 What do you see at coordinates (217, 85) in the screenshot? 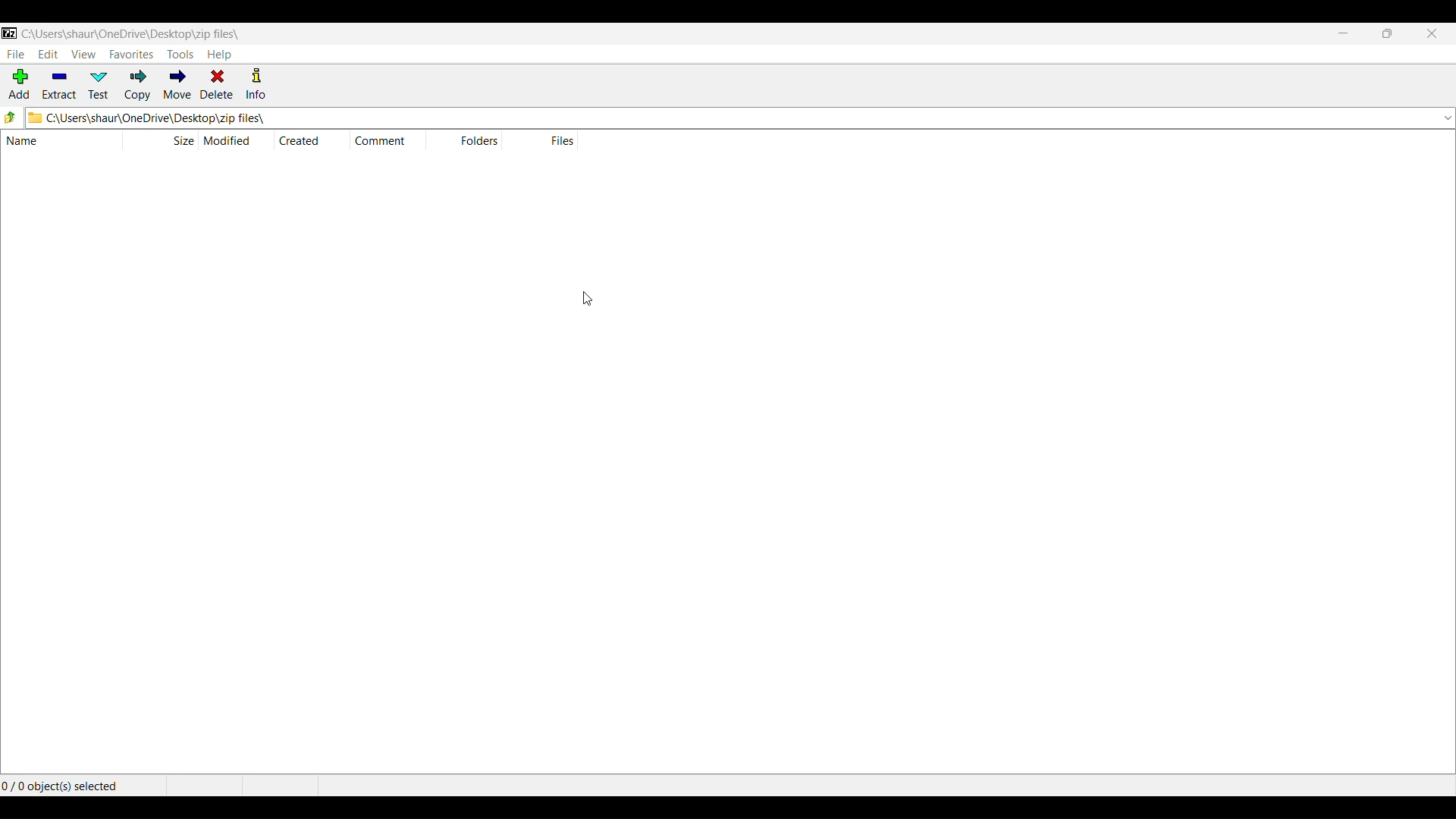
I see `DELETE` at bounding box center [217, 85].